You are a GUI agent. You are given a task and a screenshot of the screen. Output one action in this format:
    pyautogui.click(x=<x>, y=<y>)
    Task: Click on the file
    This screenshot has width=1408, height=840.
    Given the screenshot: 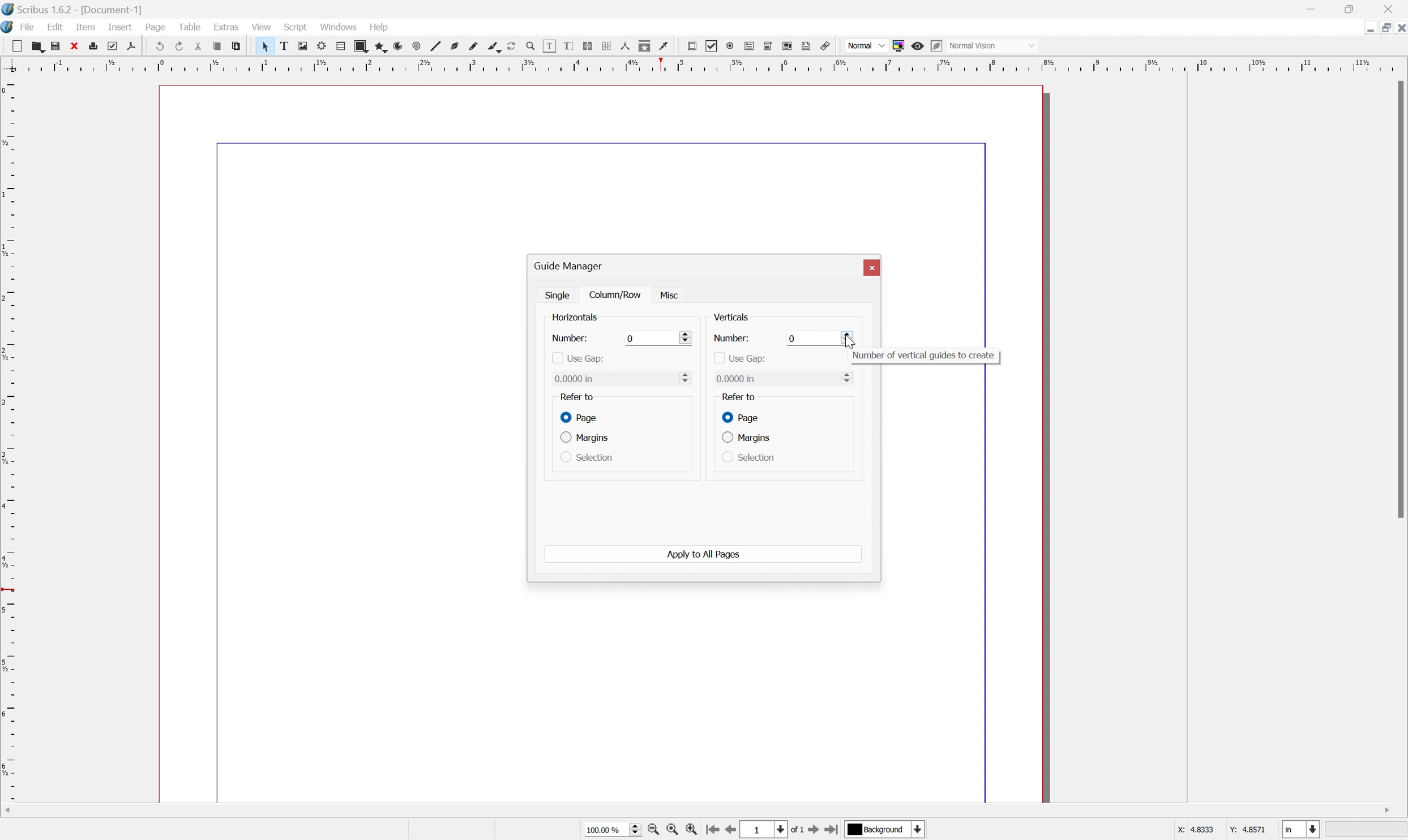 What is the action you would take?
    pyautogui.click(x=27, y=27)
    